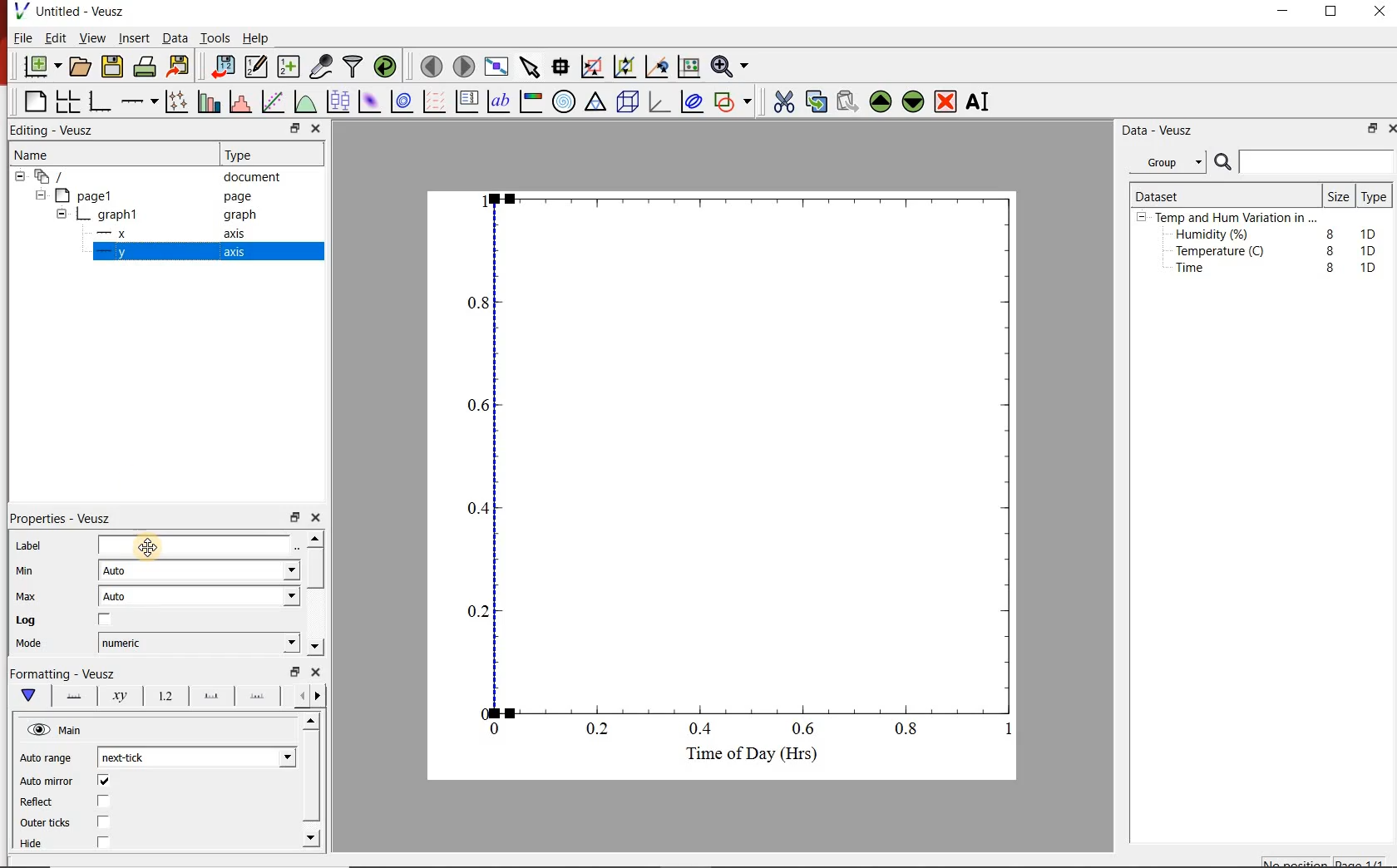  I want to click on Outer ticks, so click(81, 824).